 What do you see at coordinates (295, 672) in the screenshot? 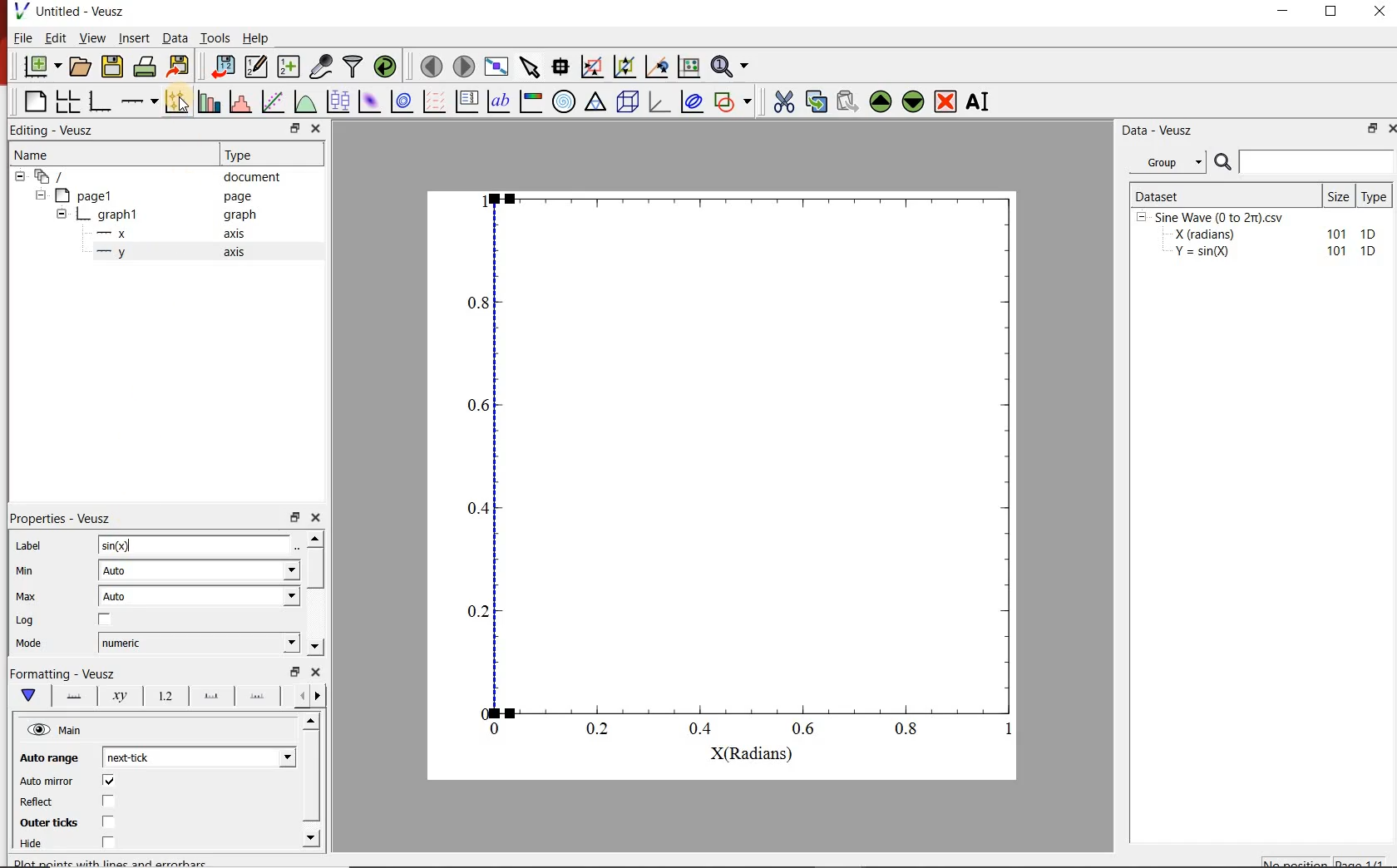
I see `Min/Max` at bounding box center [295, 672].